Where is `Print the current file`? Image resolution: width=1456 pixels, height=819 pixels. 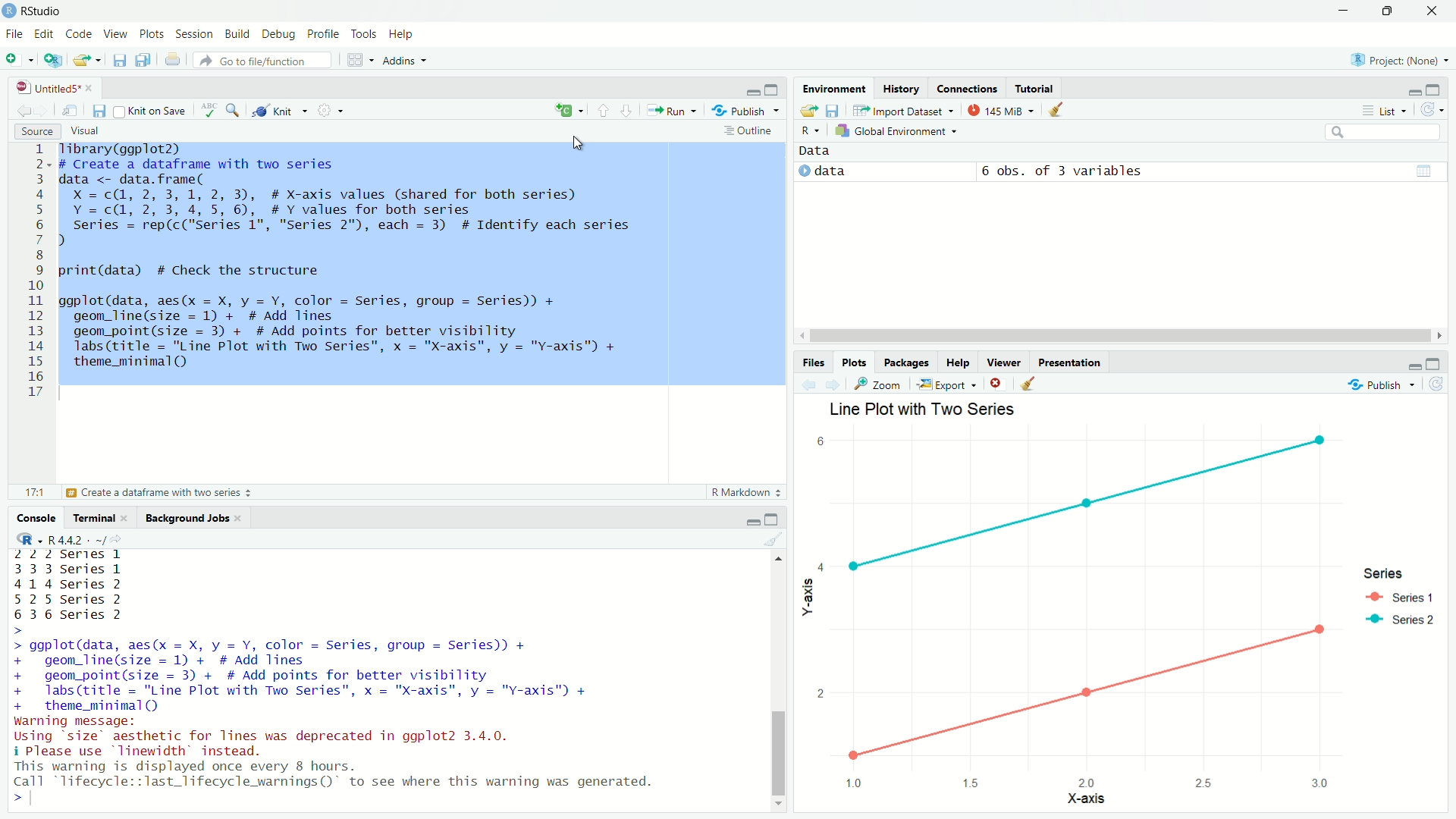 Print the current file is located at coordinates (173, 60).